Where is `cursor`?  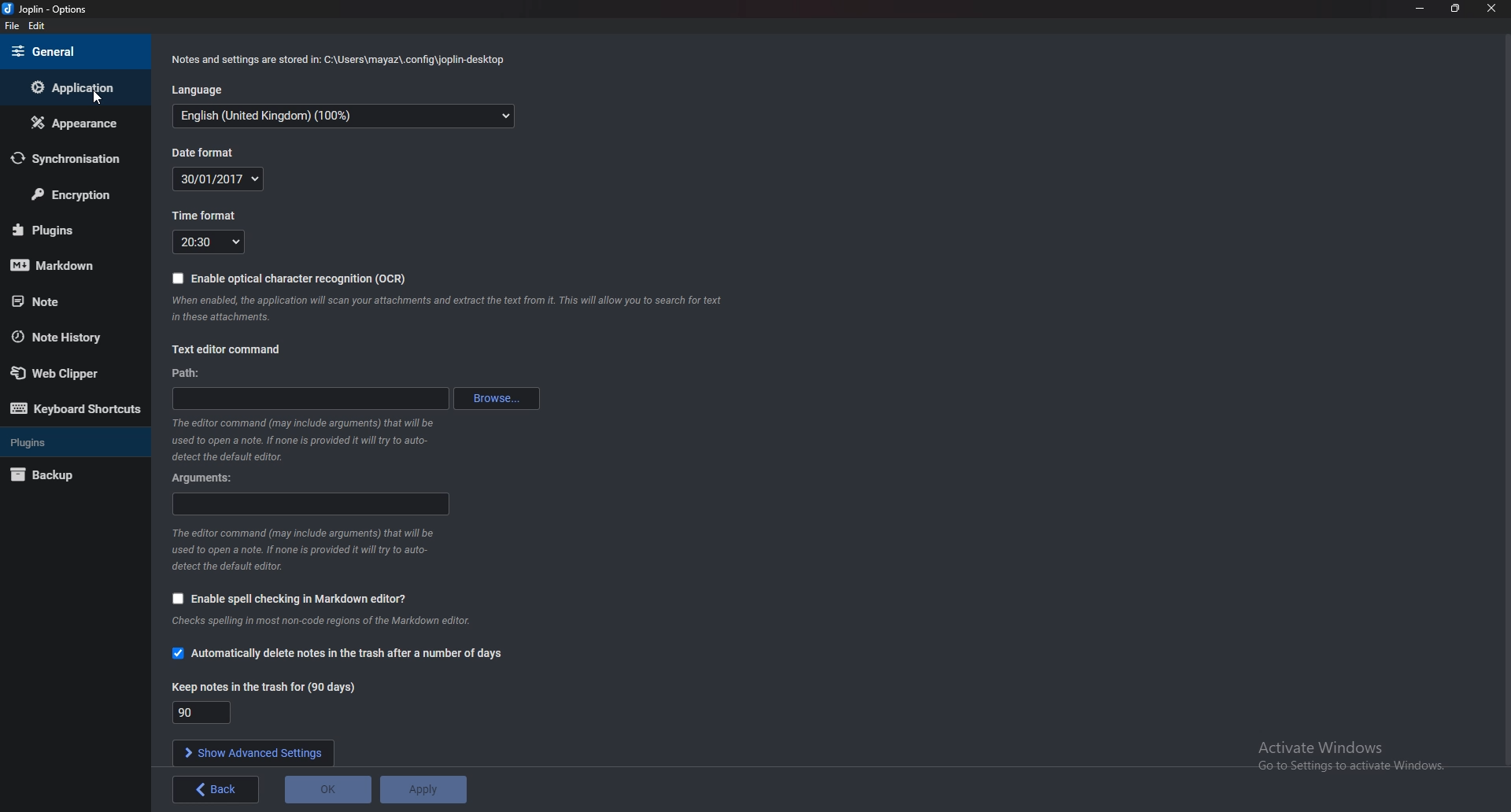
cursor is located at coordinates (101, 98).